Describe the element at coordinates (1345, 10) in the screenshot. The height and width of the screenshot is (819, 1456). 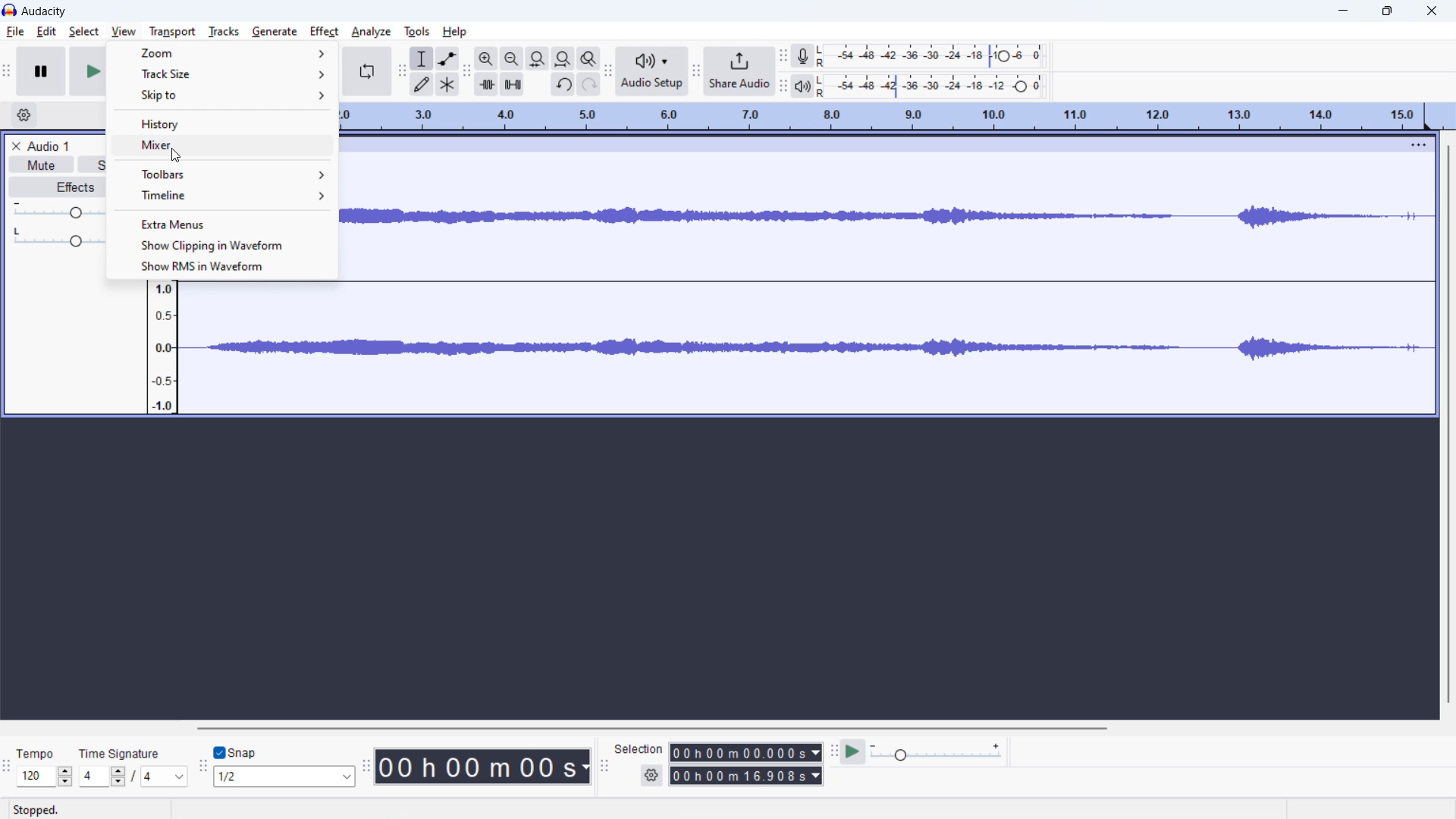
I see `minimize` at that location.